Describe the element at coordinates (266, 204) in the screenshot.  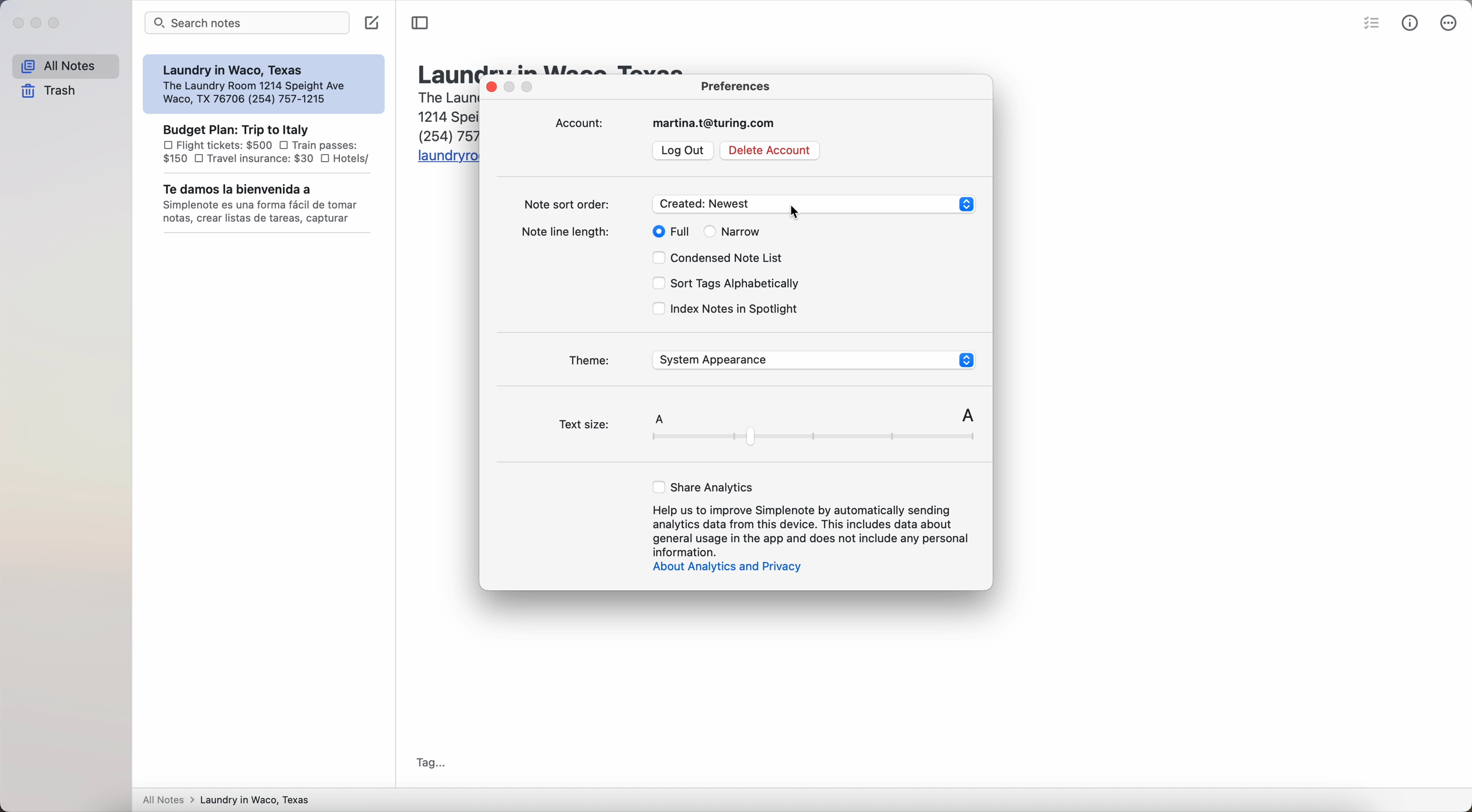
I see `Te damos la bienvenida a note` at that location.